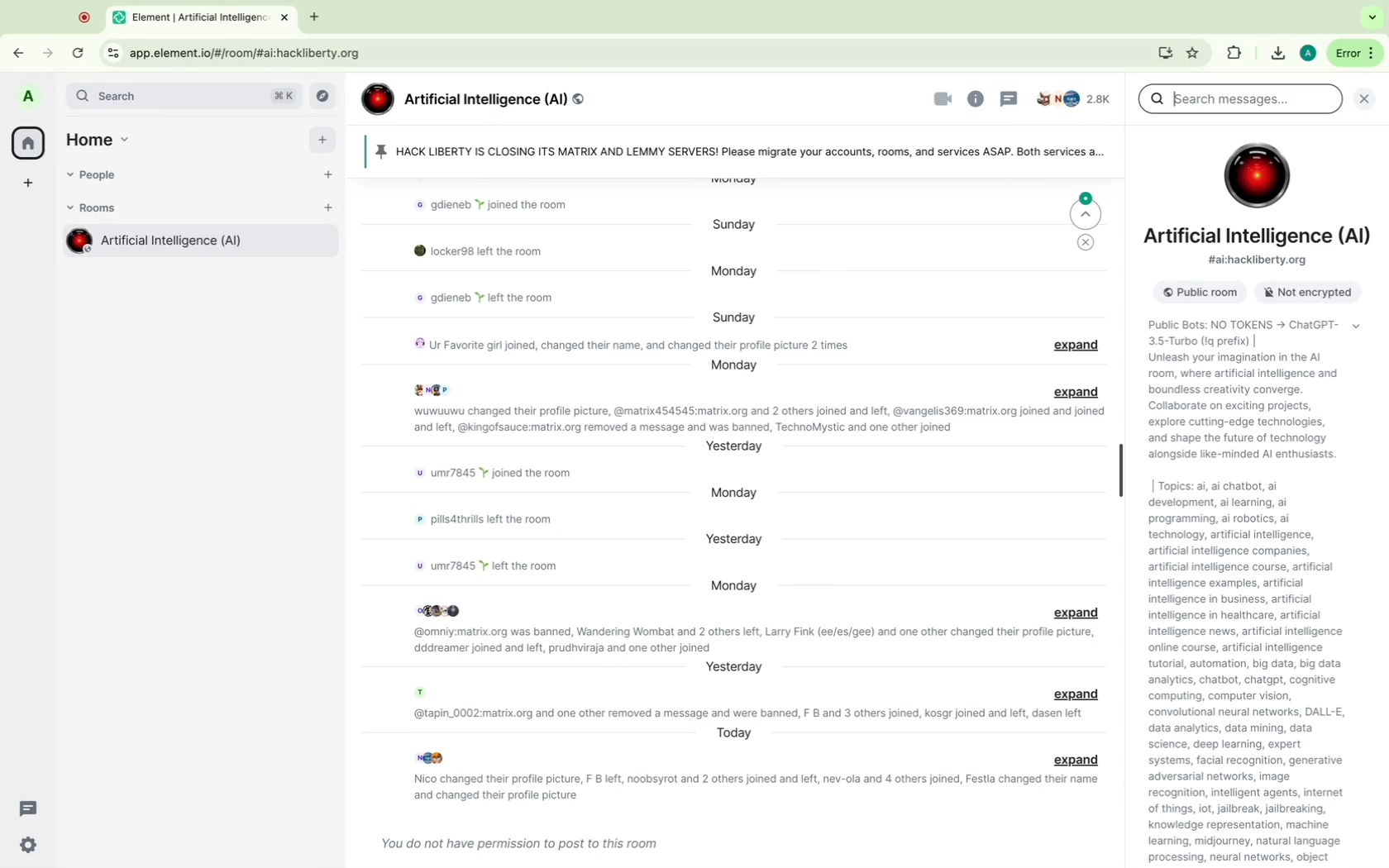  I want to click on message, so click(478, 303).